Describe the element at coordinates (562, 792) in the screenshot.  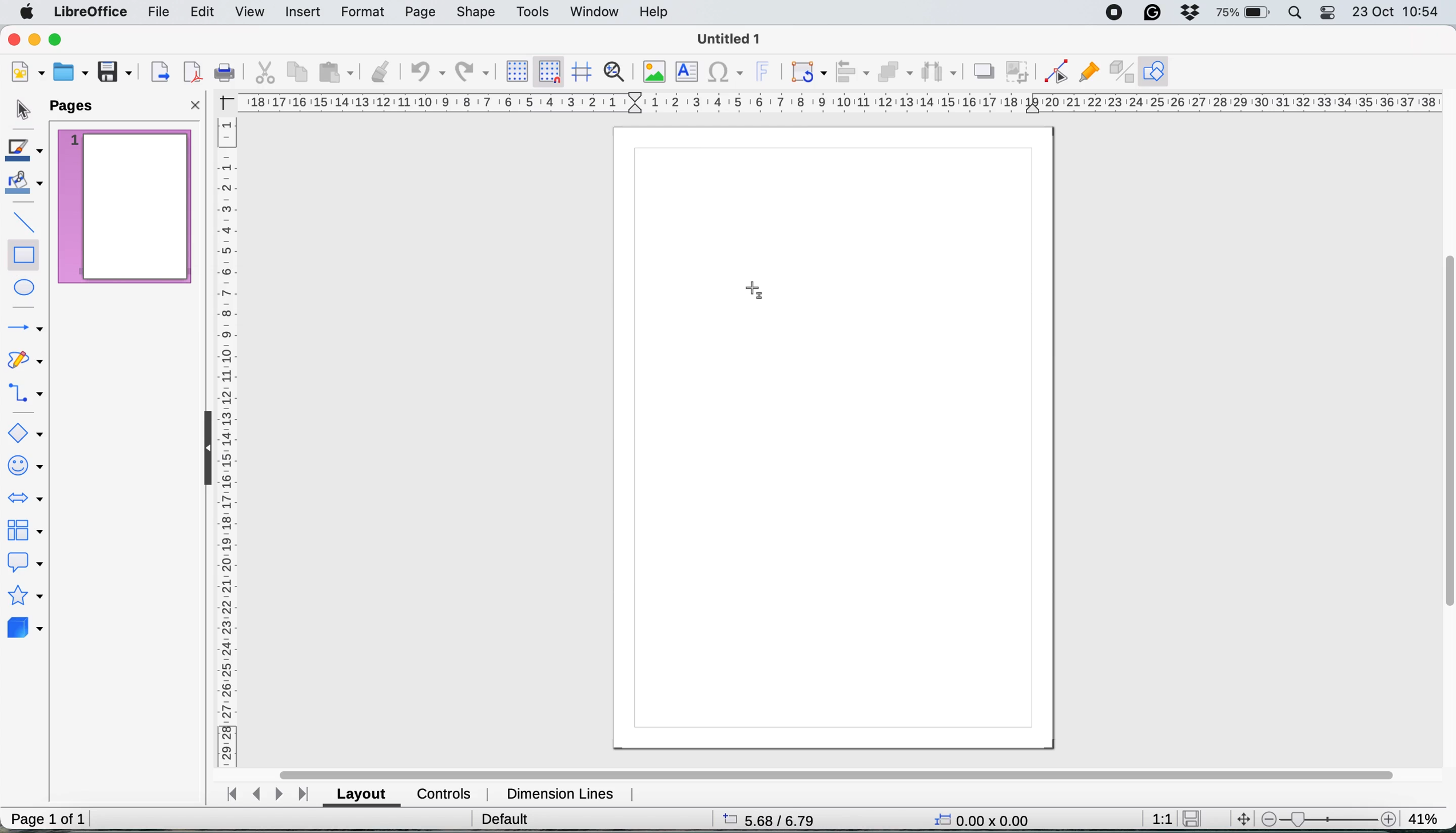
I see `dimension lines` at that location.